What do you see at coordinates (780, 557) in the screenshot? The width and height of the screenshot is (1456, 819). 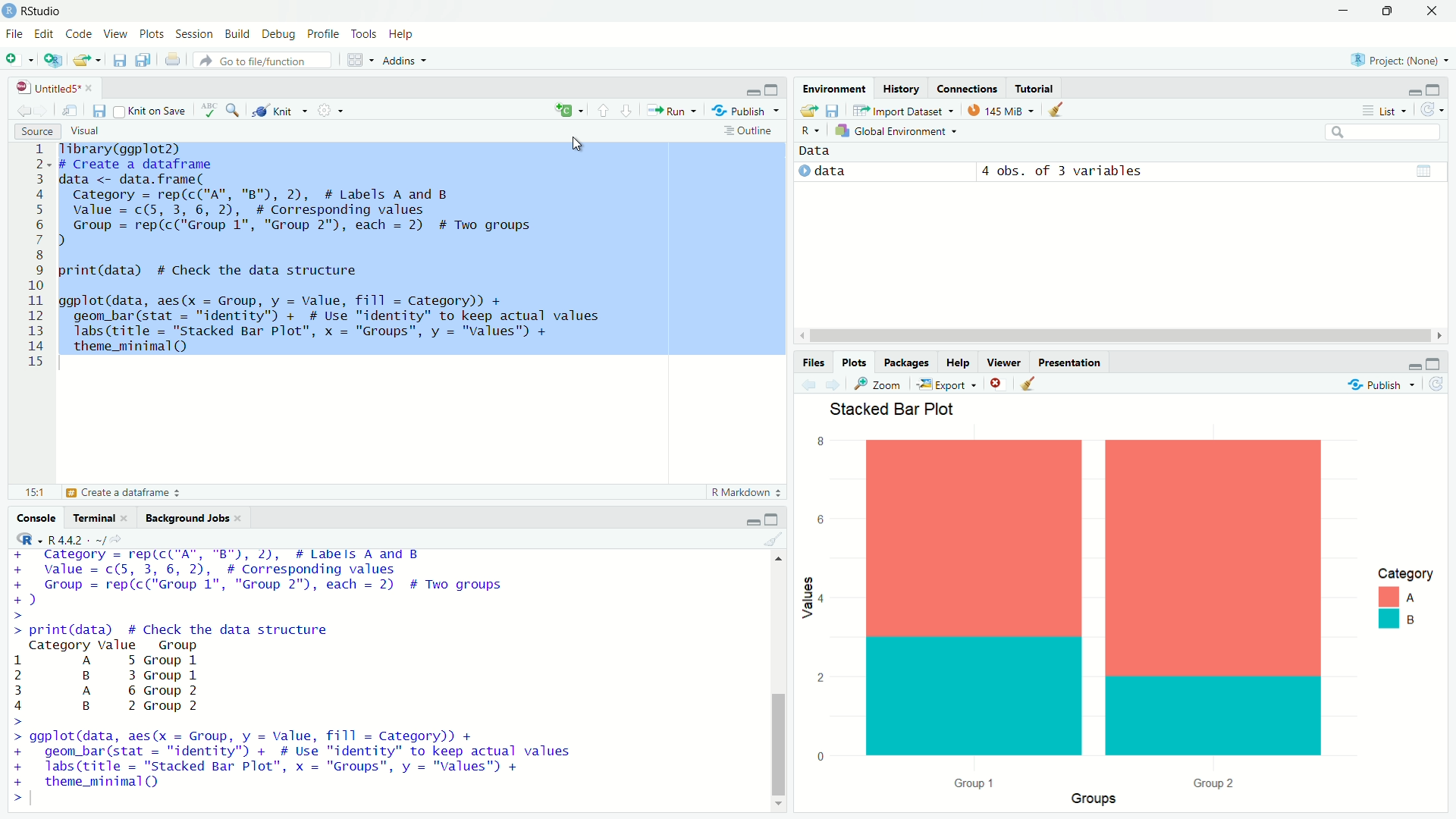 I see `Up` at bounding box center [780, 557].